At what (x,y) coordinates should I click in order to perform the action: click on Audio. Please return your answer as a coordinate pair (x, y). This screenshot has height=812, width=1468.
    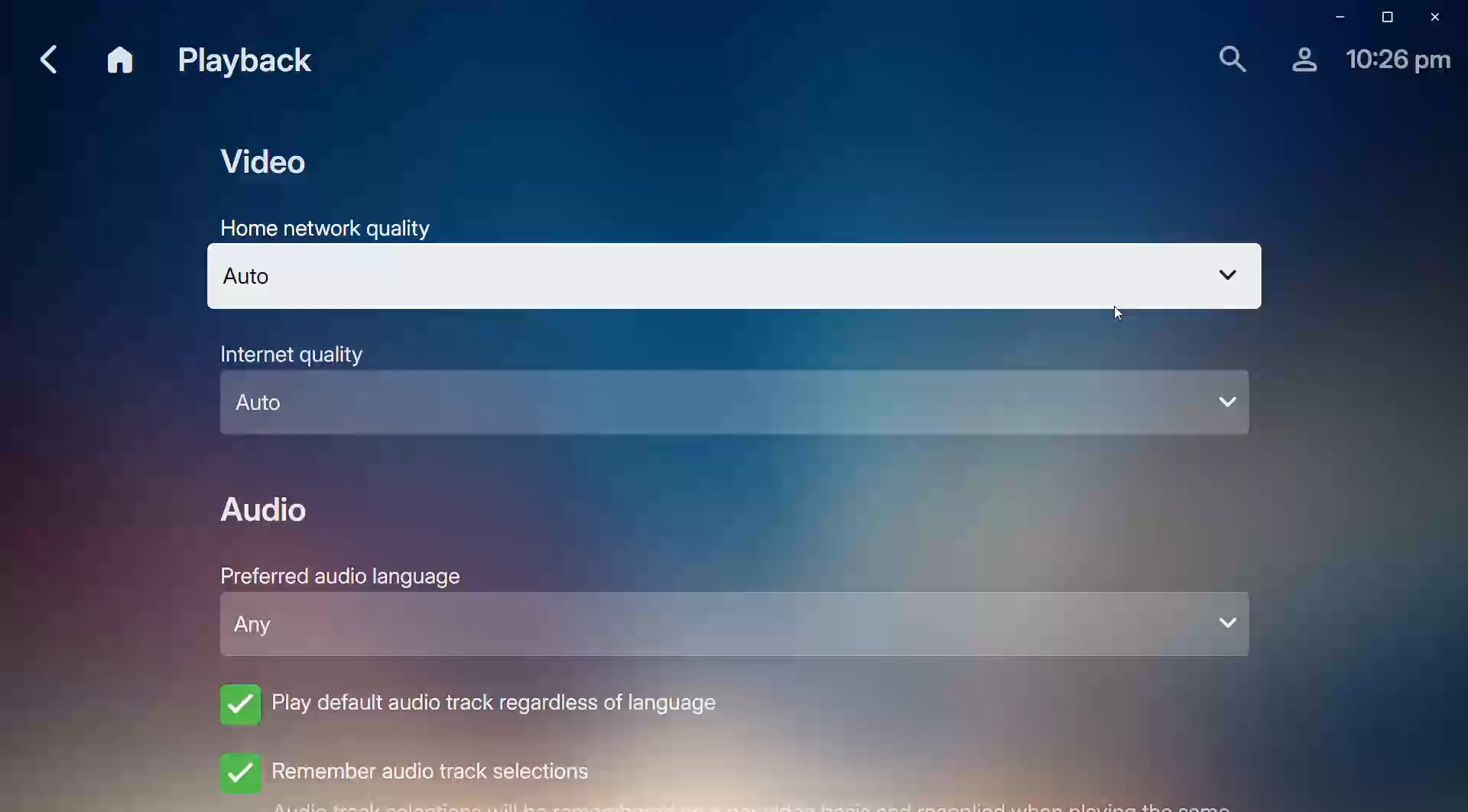
    Looking at the image, I should click on (274, 510).